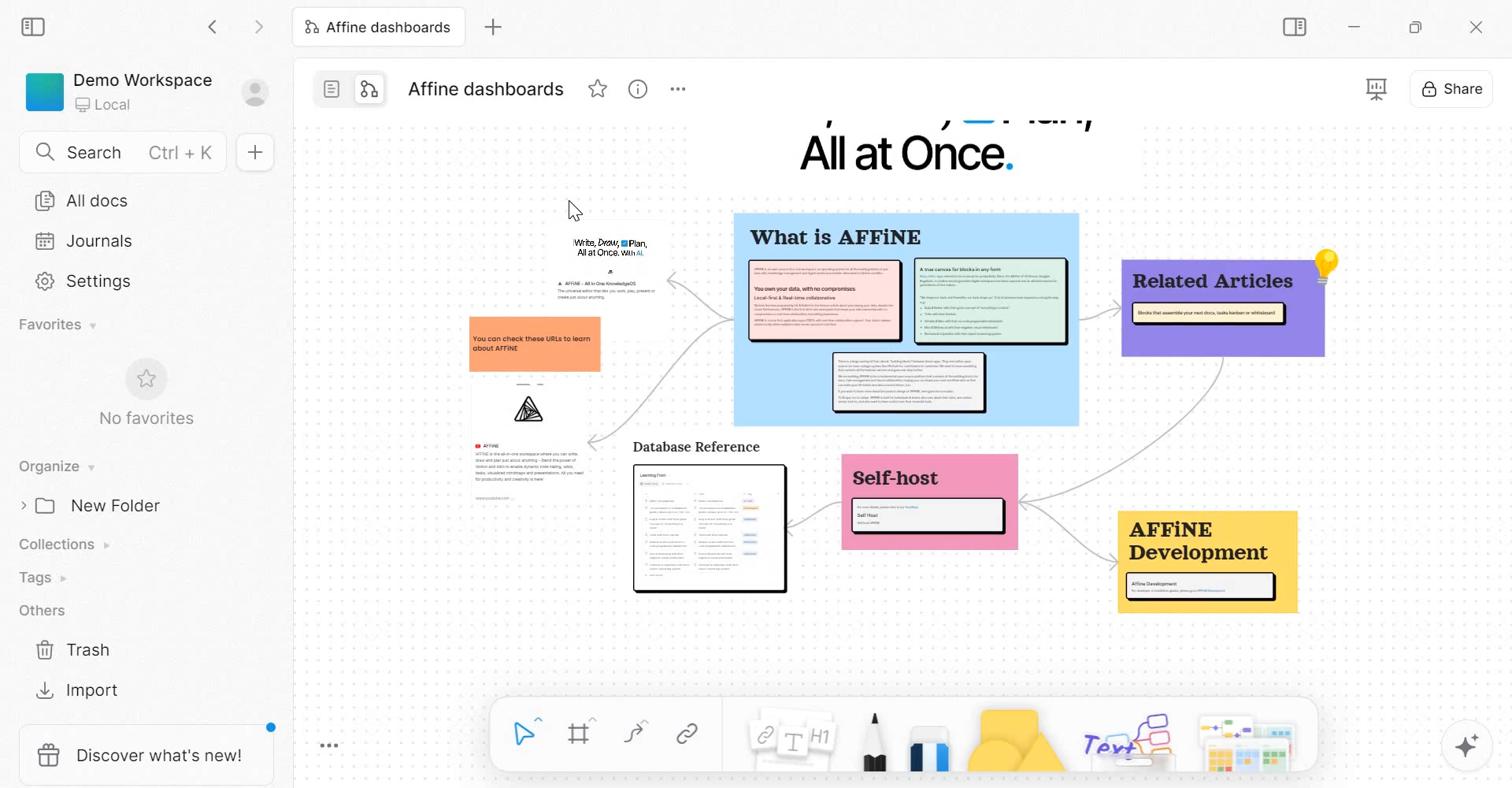 Image resolution: width=1512 pixels, height=788 pixels. What do you see at coordinates (41, 611) in the screenshot?
I see `Others` at bounding box center [41, 611].